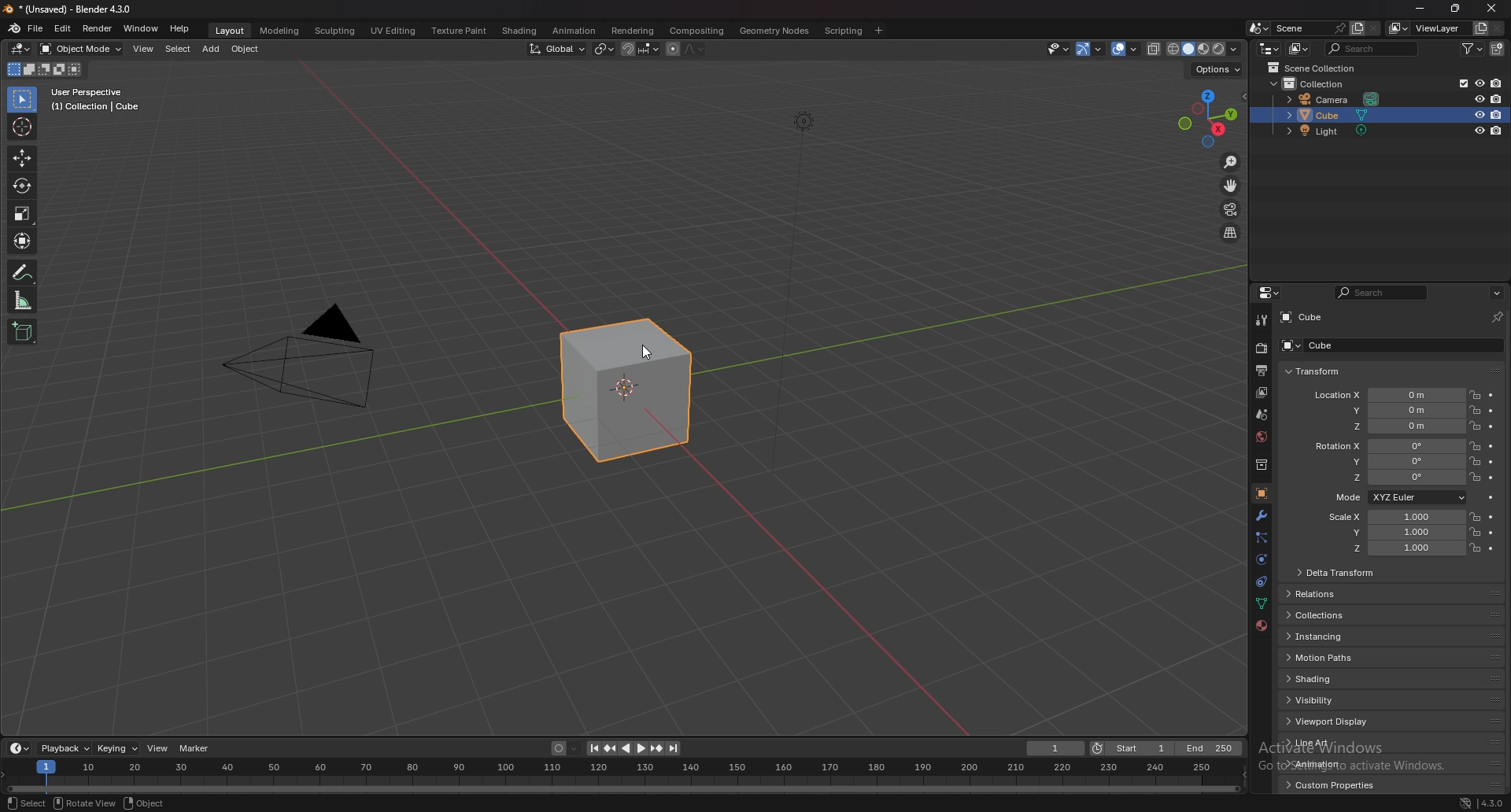 This screenshot has height=812, width=1511. Describe the element at coordinates (1421, 9) in the screenshot. I see `minimize` at that location.